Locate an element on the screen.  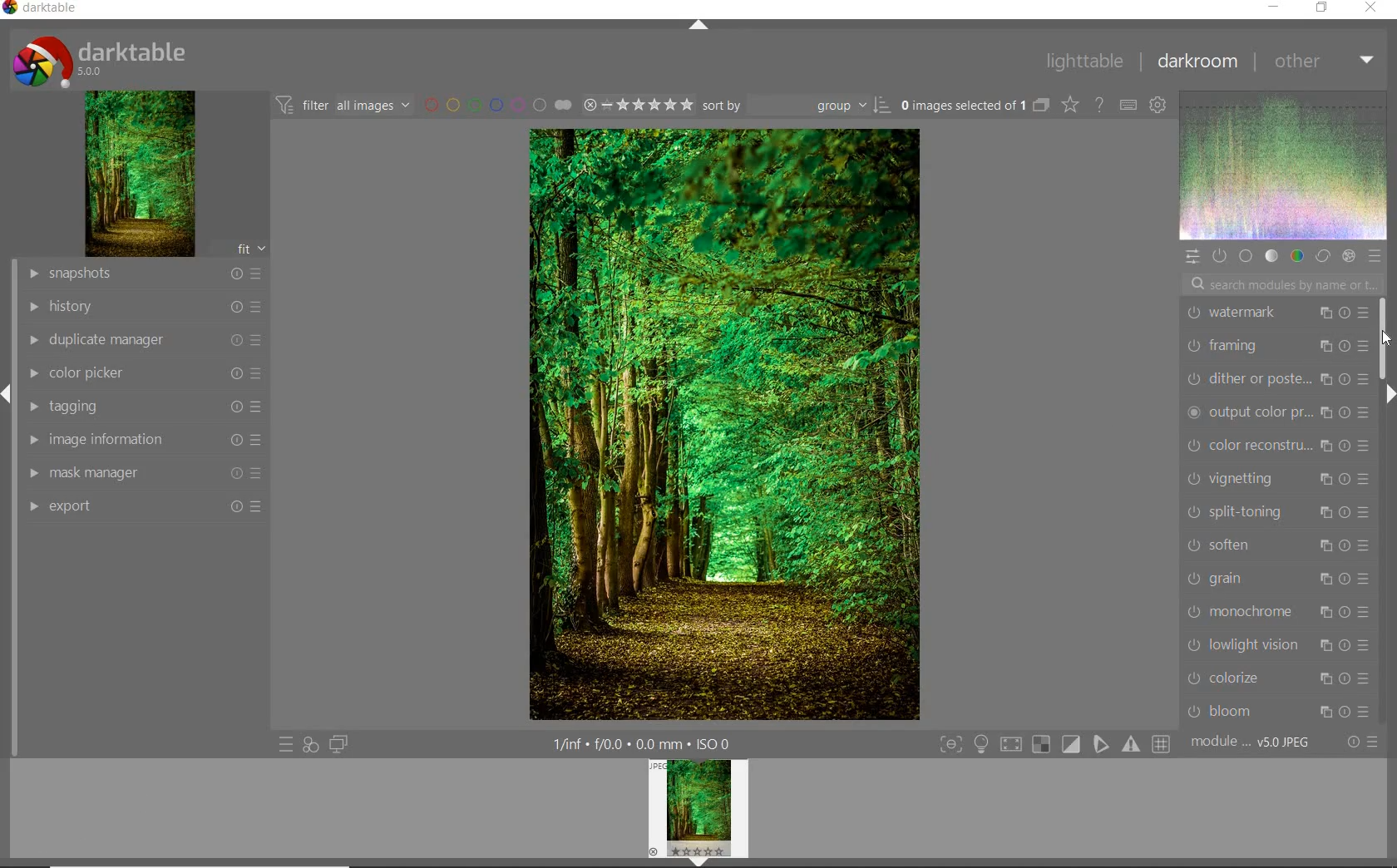
BLOOM is located at coordinates (1276, 711).